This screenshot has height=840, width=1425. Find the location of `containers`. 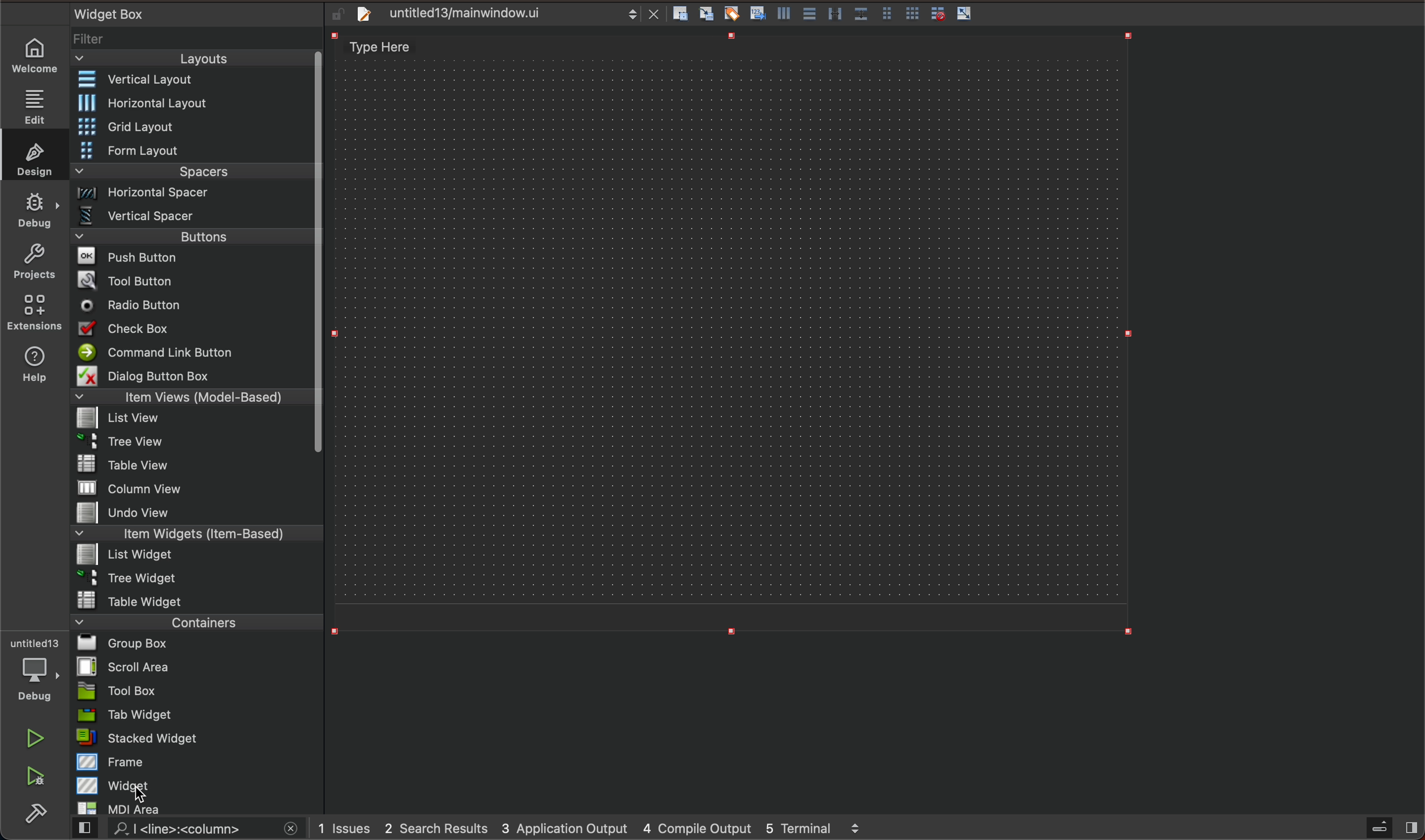

containers is located at coordinates (196, 621).